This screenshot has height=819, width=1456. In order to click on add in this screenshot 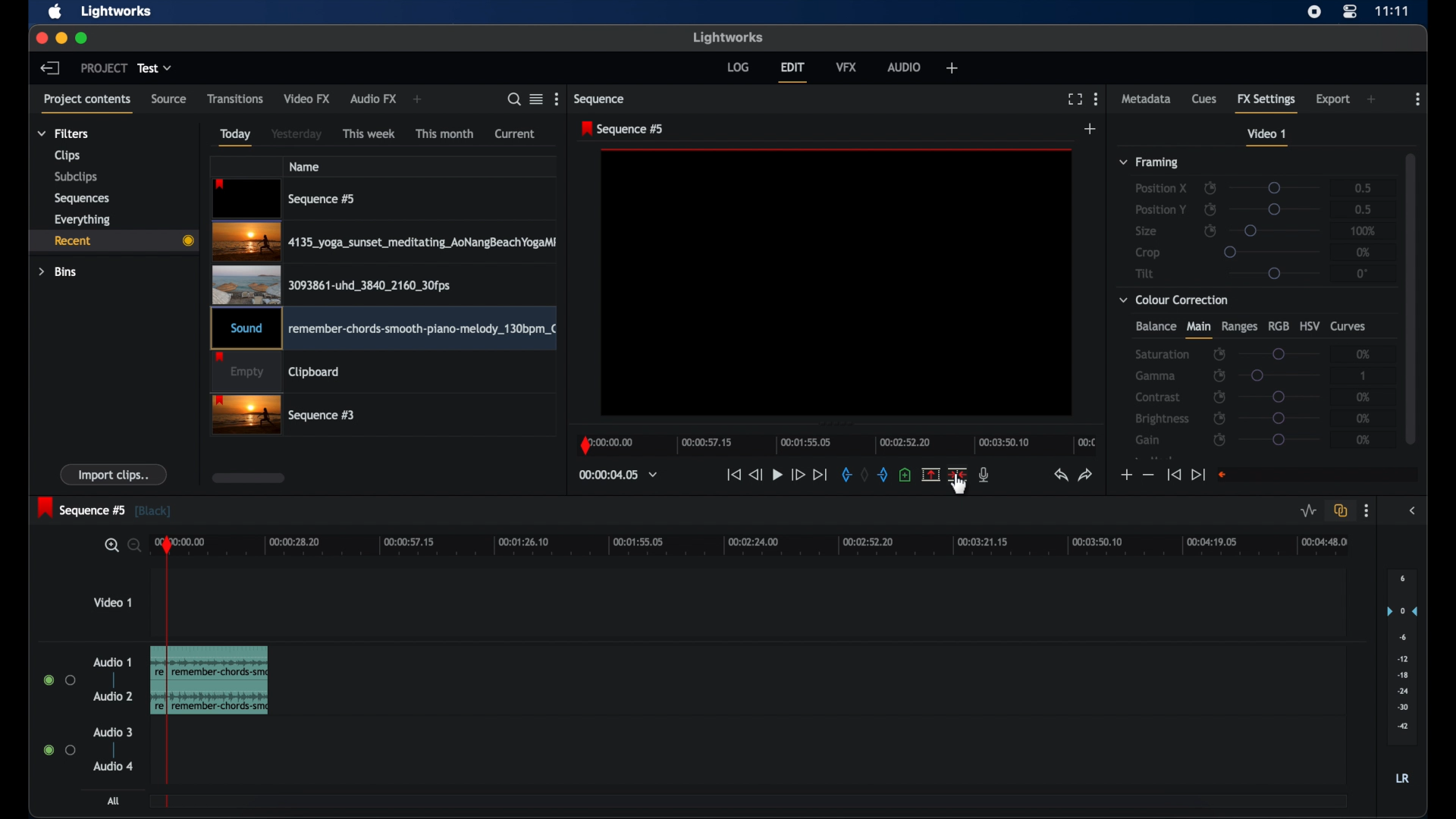, I will do `click(420, 99)`.